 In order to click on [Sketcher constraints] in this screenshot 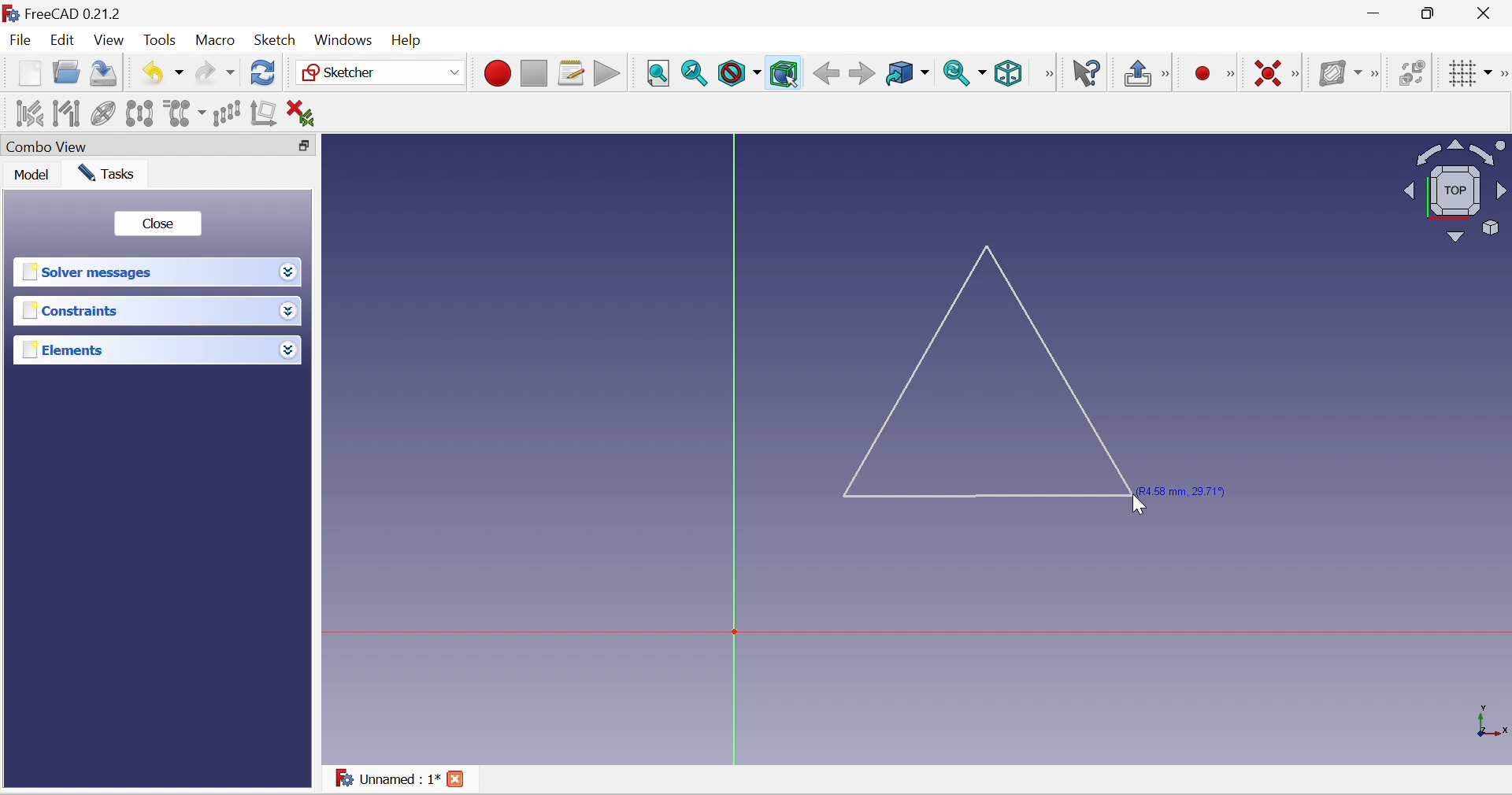, I will do `click(1295, 75)`.